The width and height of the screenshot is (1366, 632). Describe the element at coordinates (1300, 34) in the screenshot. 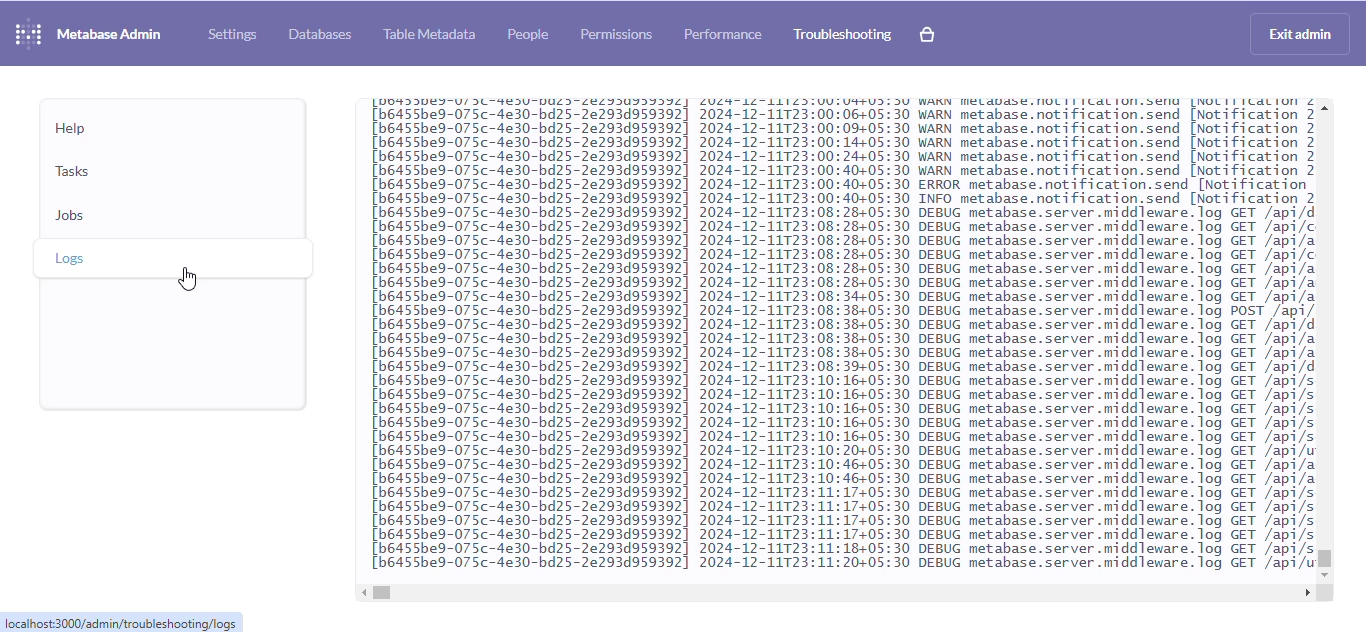

I see `exit admin` at that location.